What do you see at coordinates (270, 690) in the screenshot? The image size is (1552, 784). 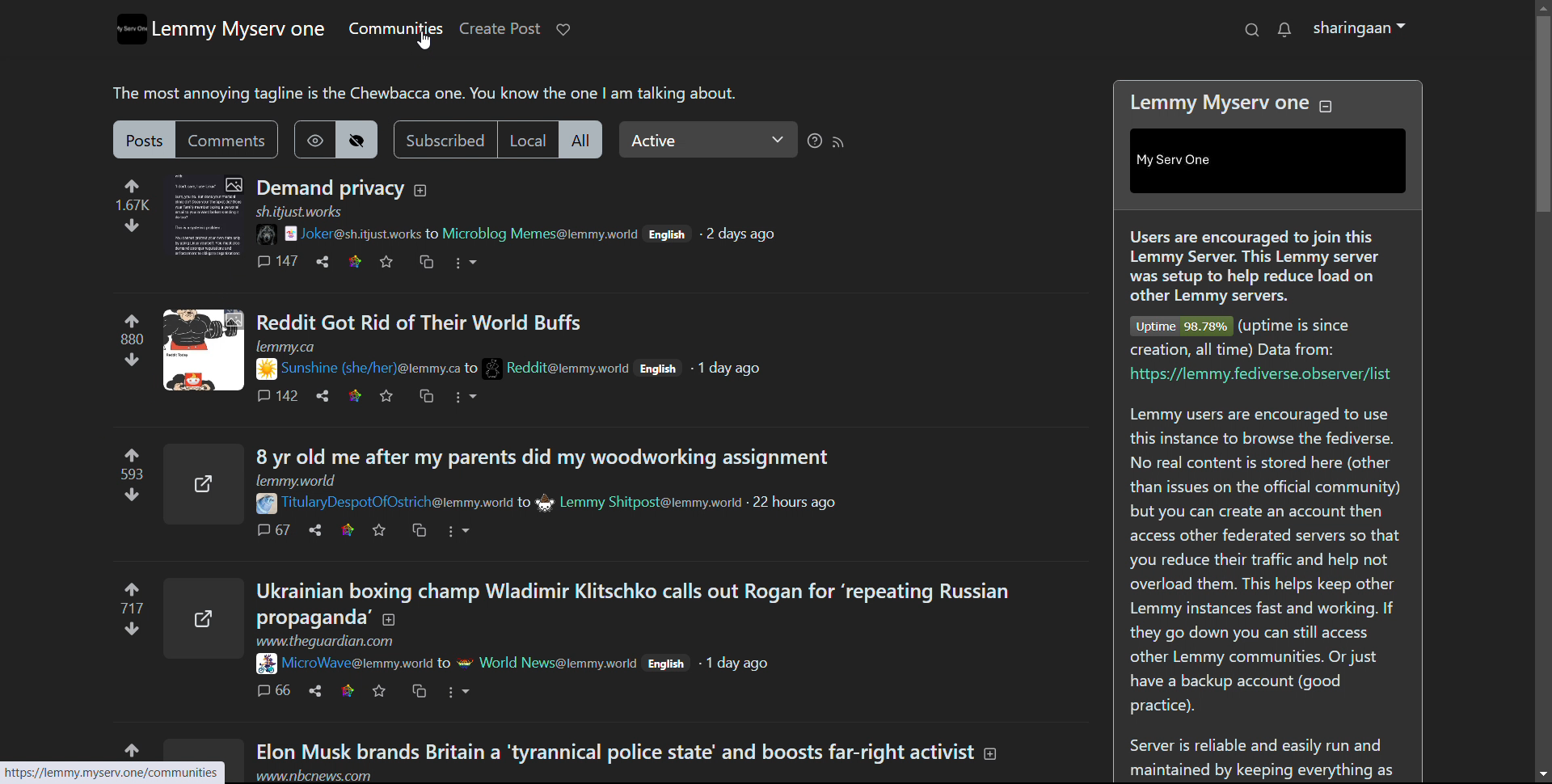 I see `66 comments` at bounding box center [270, 690].